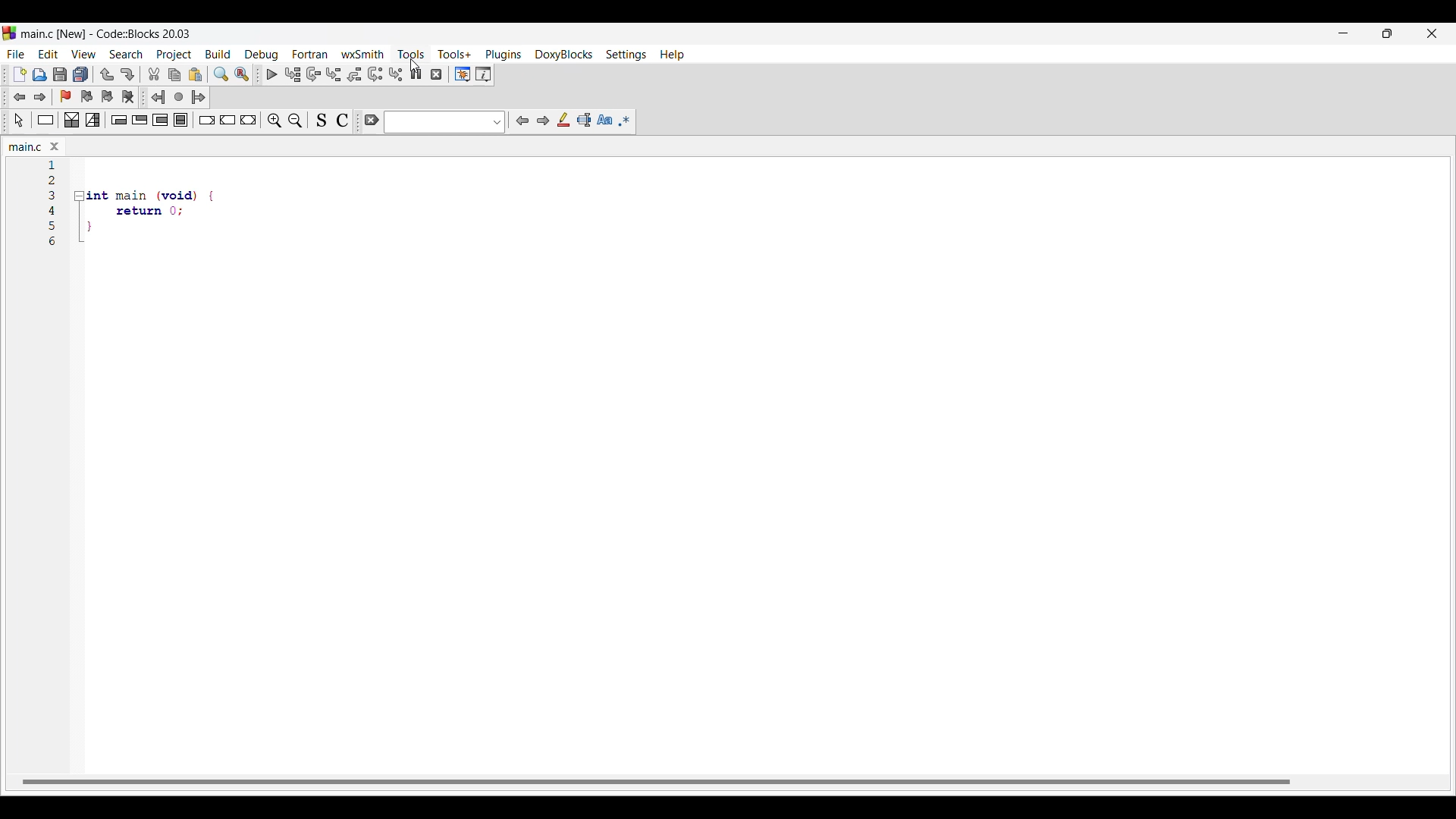  I want to click on Replace, so click(242, 74).